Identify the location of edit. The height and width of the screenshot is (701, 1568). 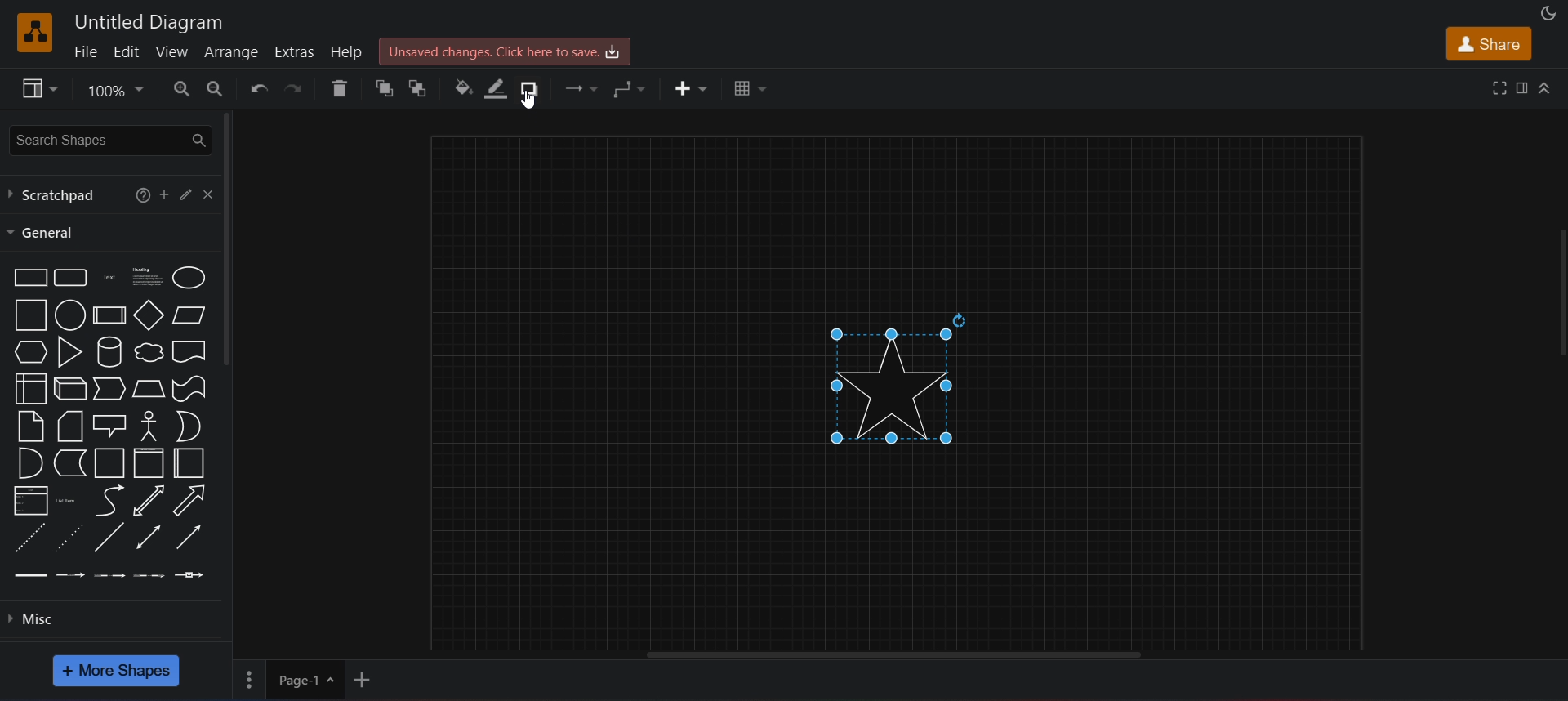
(187, 194).